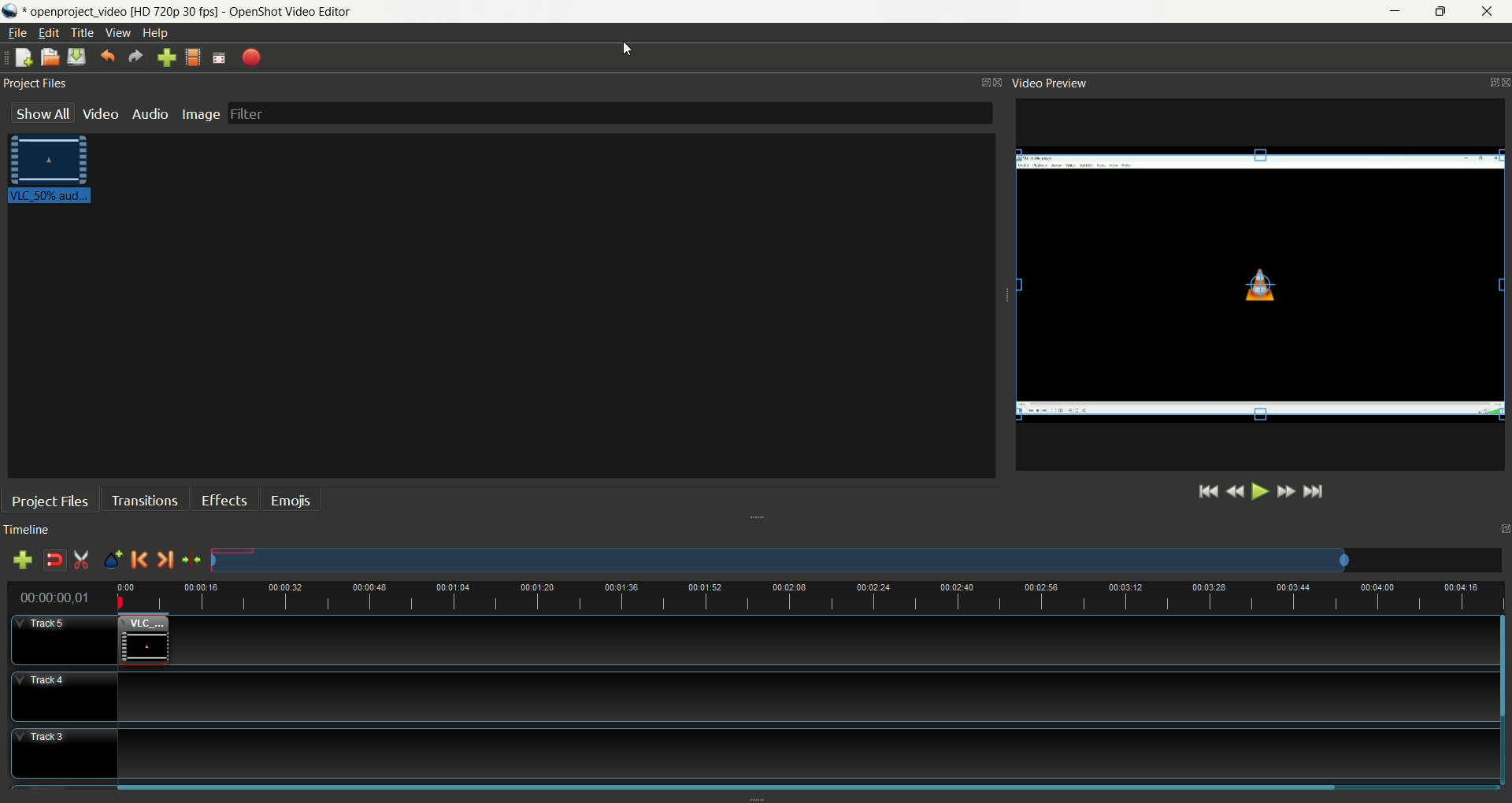 The width and height of the screenshot is (1512, 803). Describe the element at coordinates (165, 560) in the screenshot. I see `next marker` at that location.